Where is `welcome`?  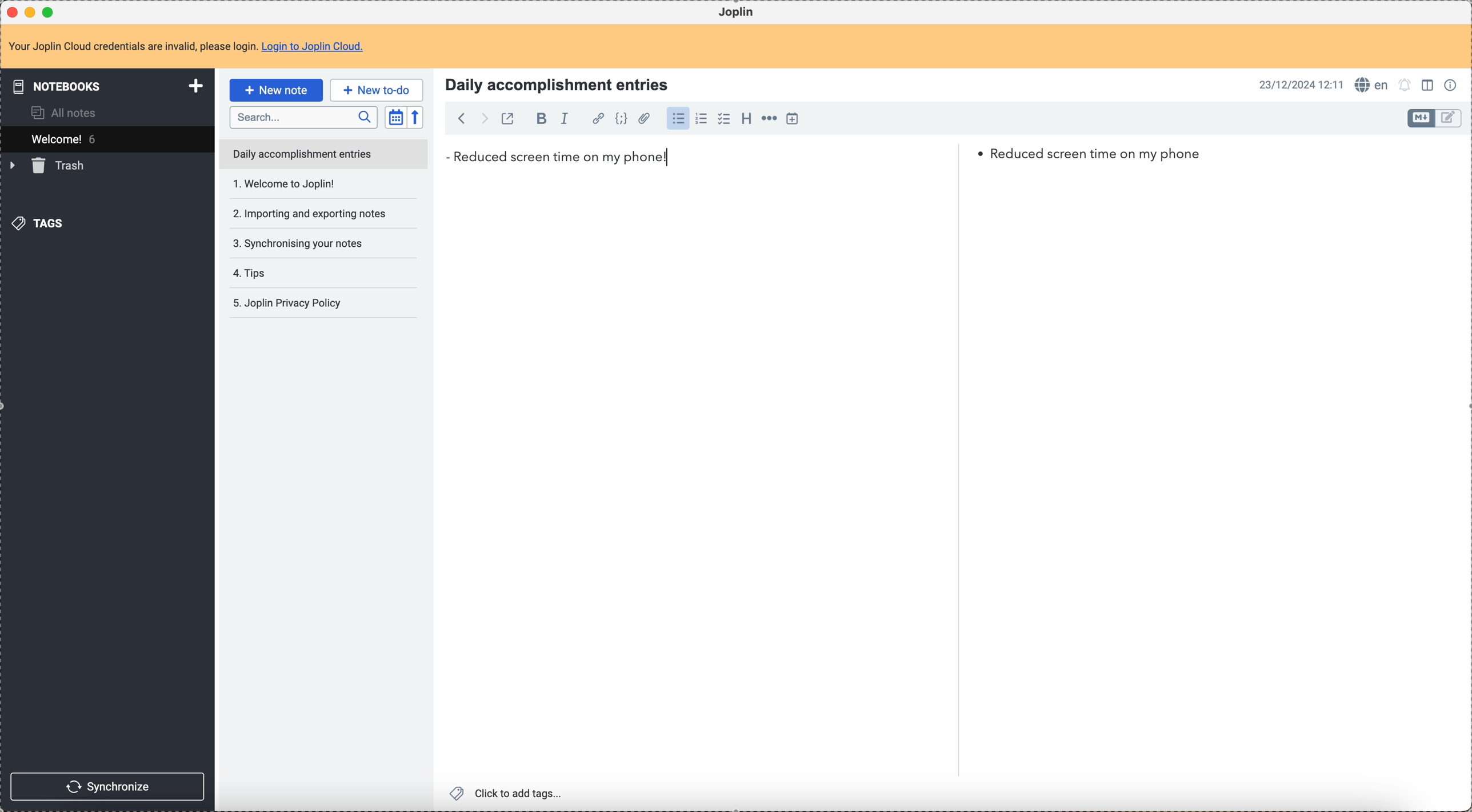 welcome is located at coordinates (106, 139).